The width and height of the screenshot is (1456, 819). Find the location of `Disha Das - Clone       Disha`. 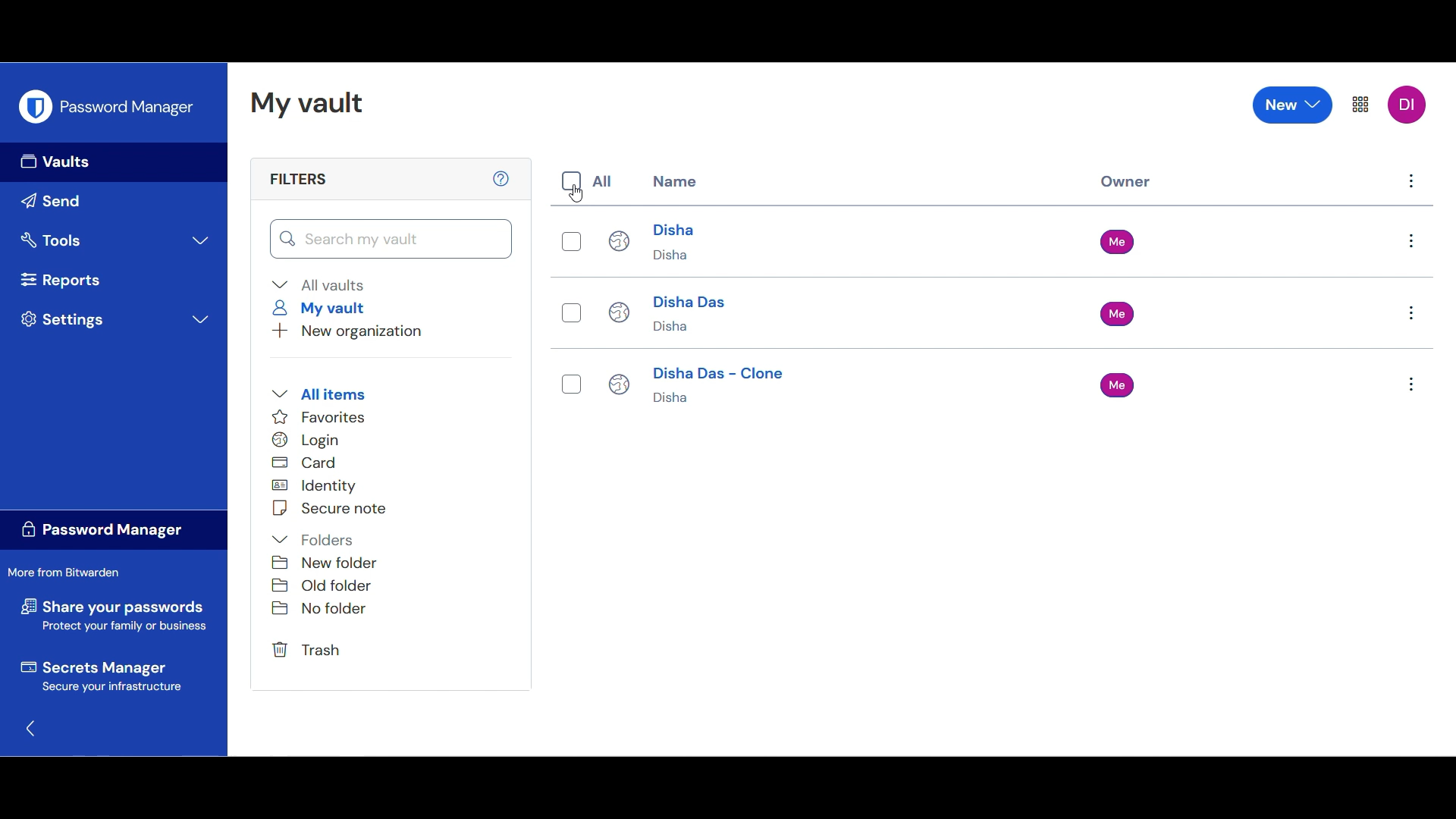

Disha Das - Clone       Disha is located at coordinates (698, 388).